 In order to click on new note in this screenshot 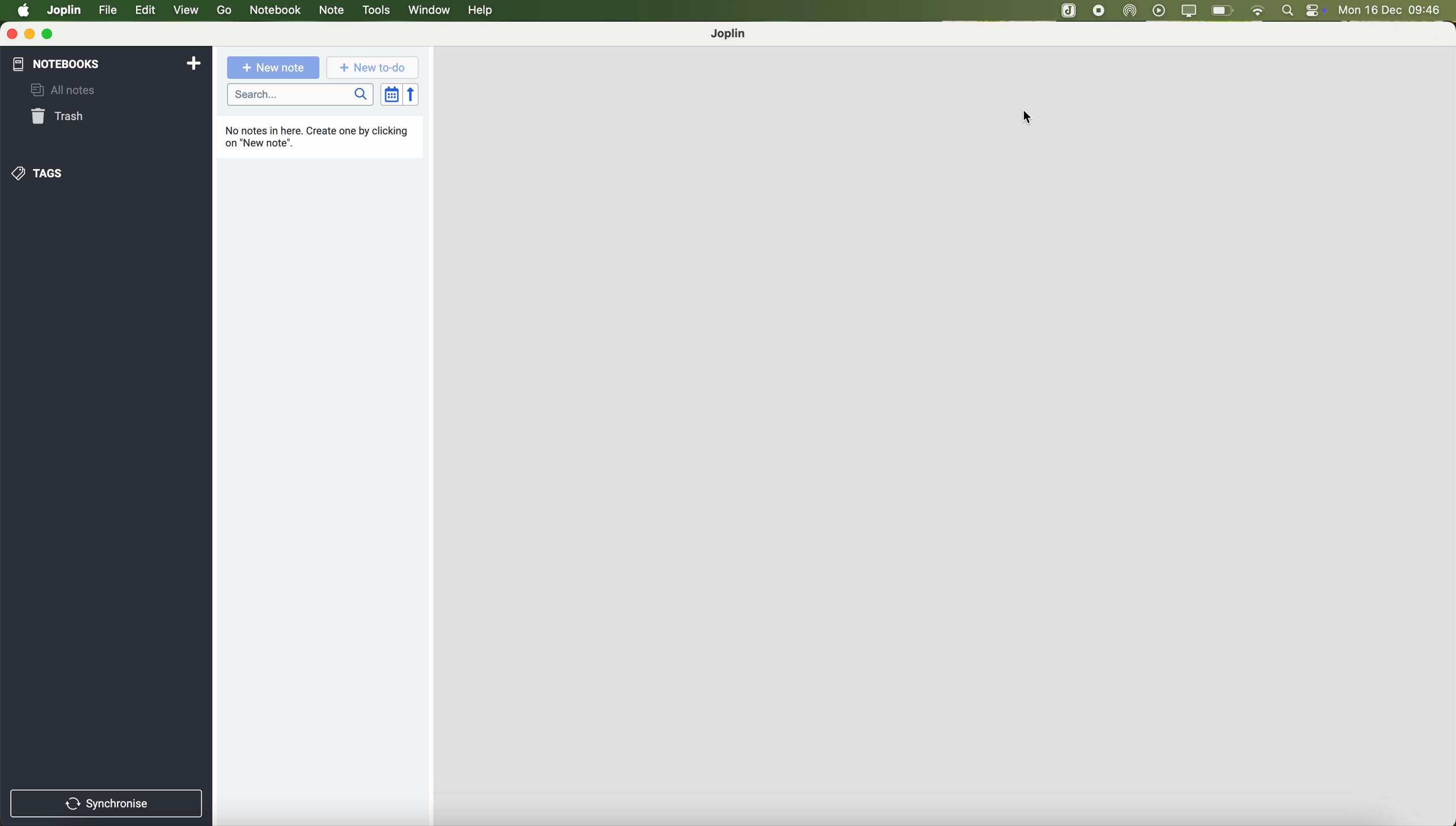, I will do `click(276, 70)`.